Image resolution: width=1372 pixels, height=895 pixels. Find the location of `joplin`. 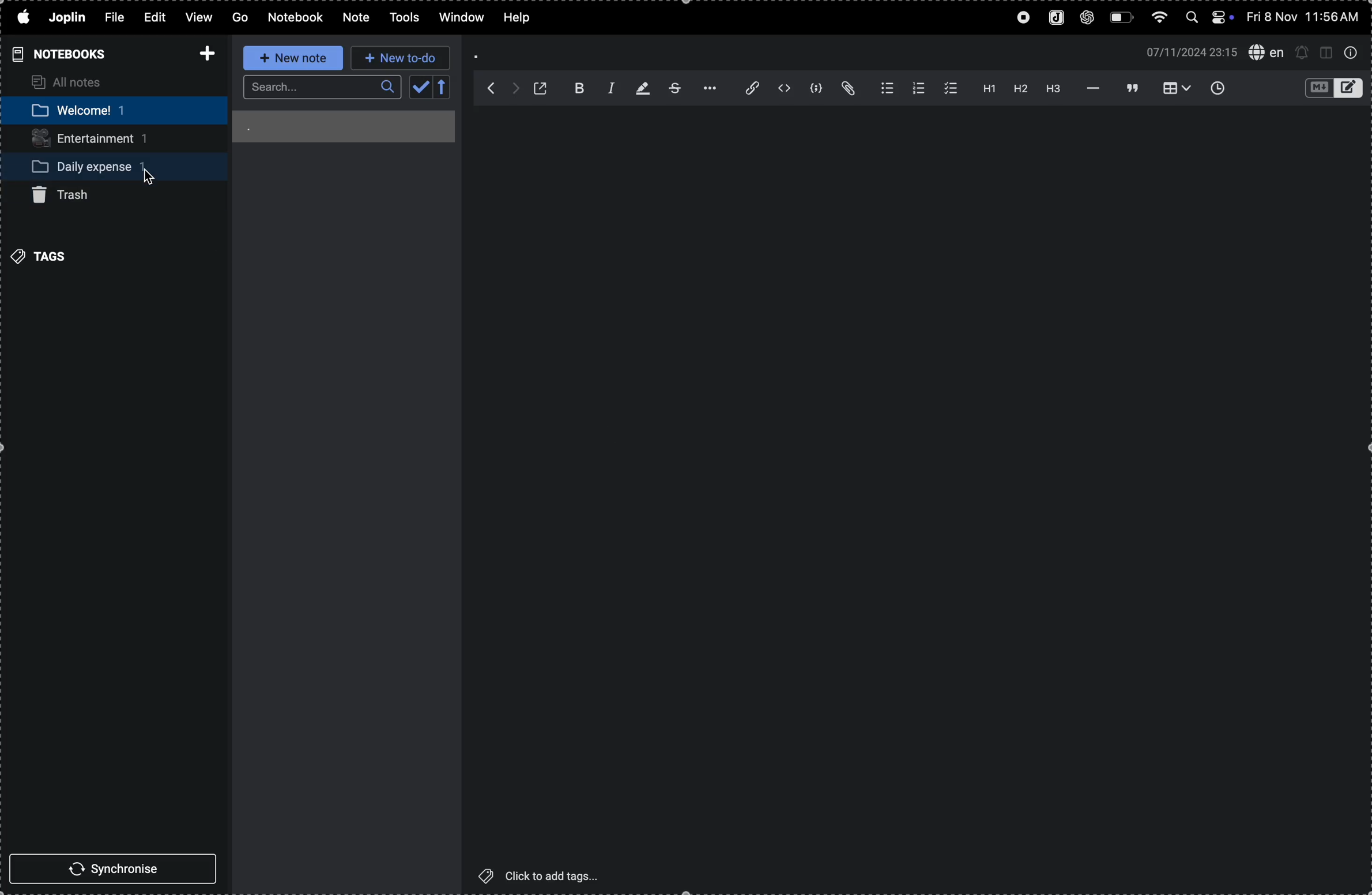

joplin is located at coordinates (1053, 18).